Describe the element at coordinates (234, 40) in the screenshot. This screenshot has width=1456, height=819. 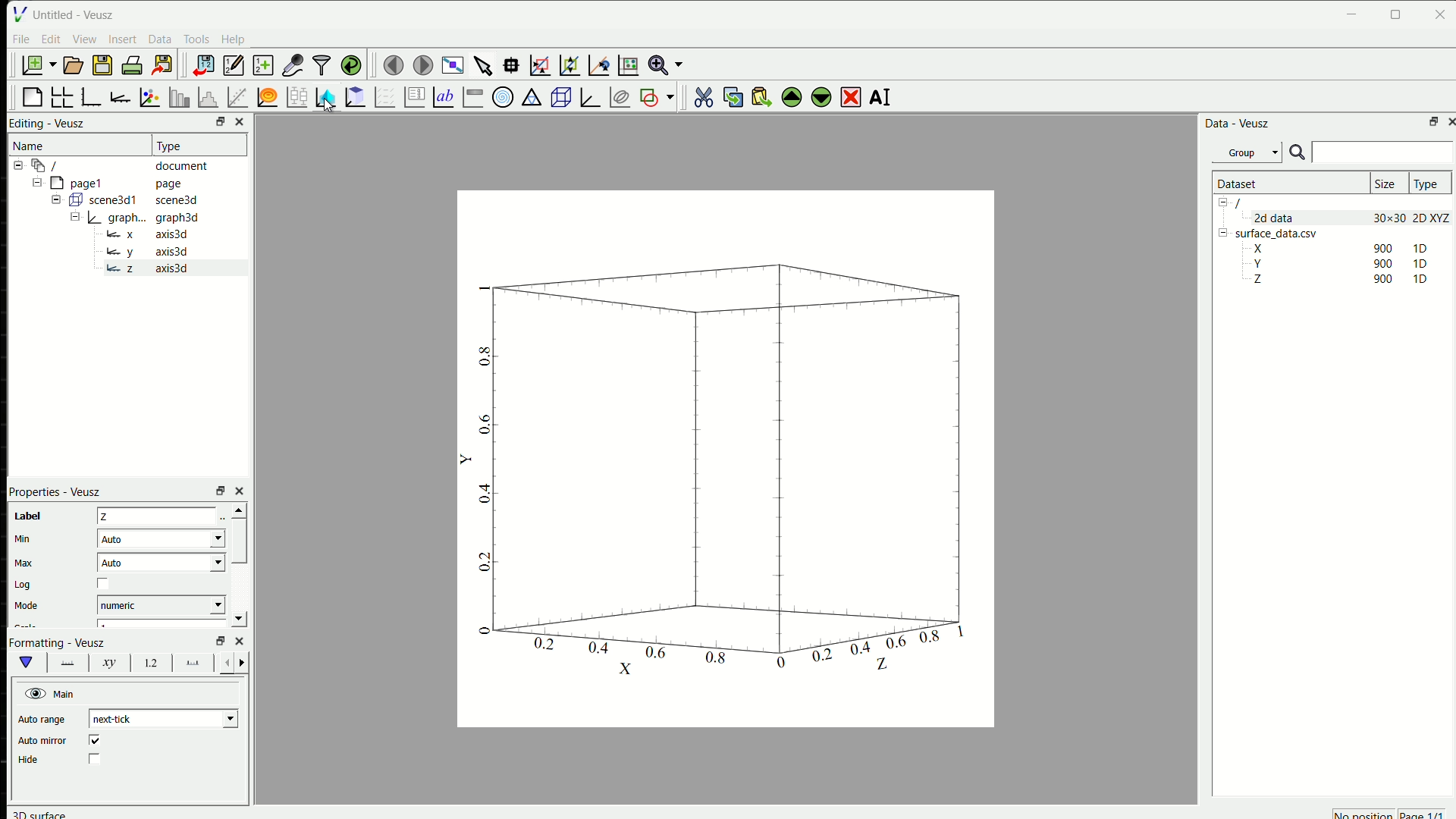
I see `Help` at that location.